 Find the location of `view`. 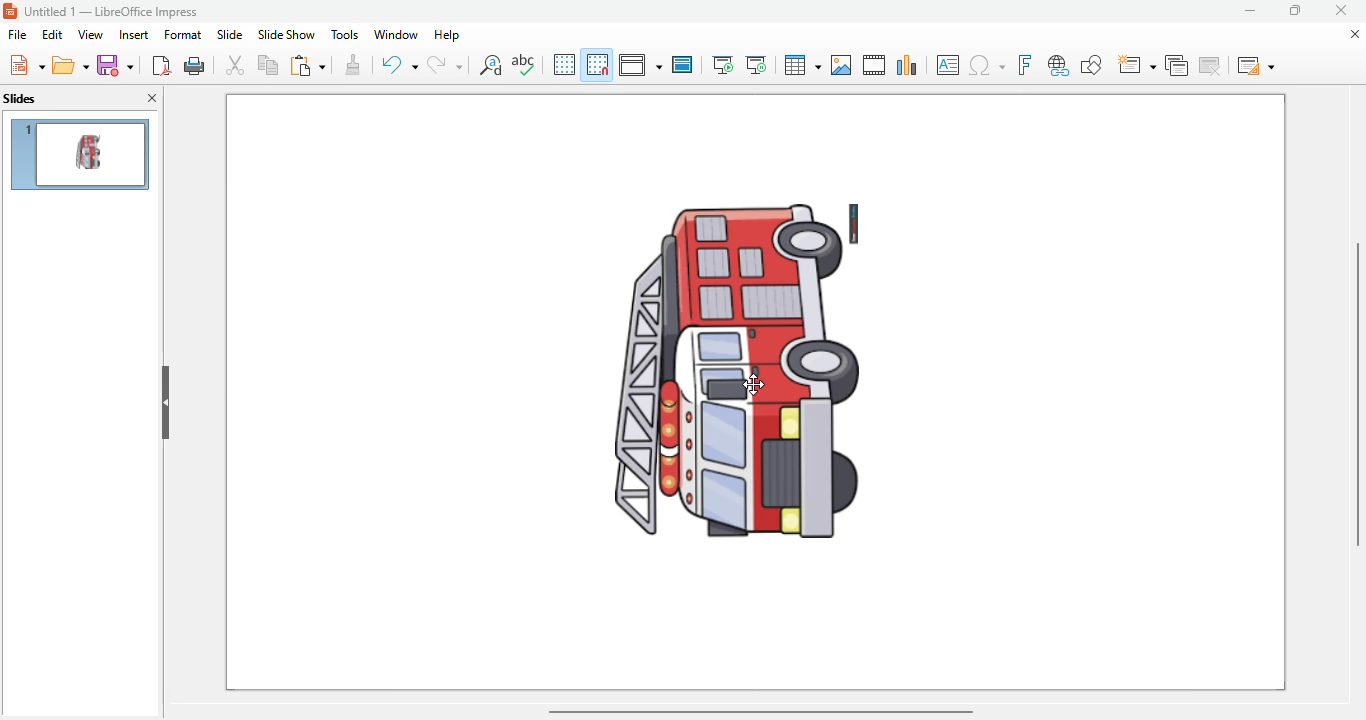

view is located at coordinates (90, 35).